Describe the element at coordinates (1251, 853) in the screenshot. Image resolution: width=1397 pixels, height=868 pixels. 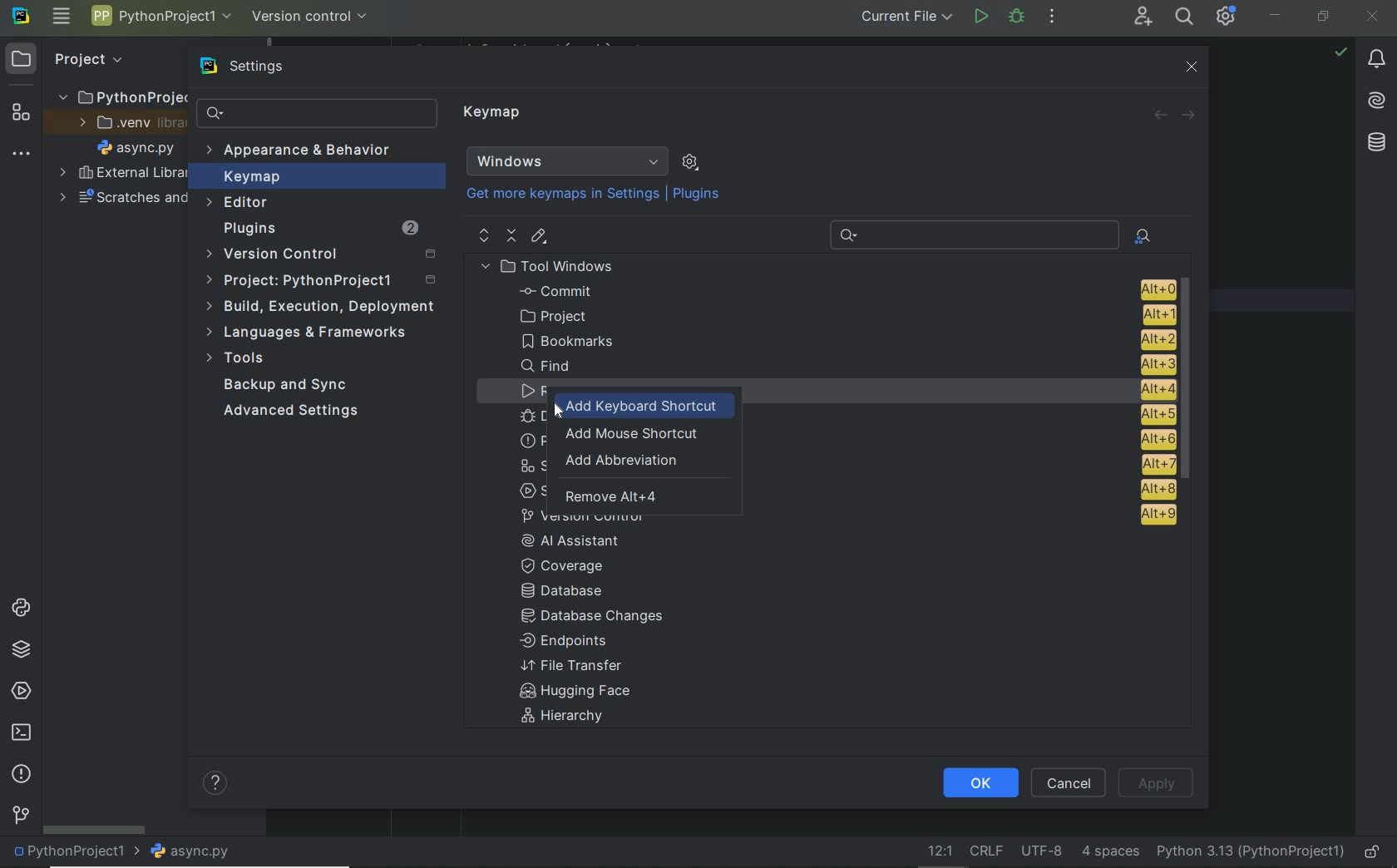
I see `current interpreter` at that location.